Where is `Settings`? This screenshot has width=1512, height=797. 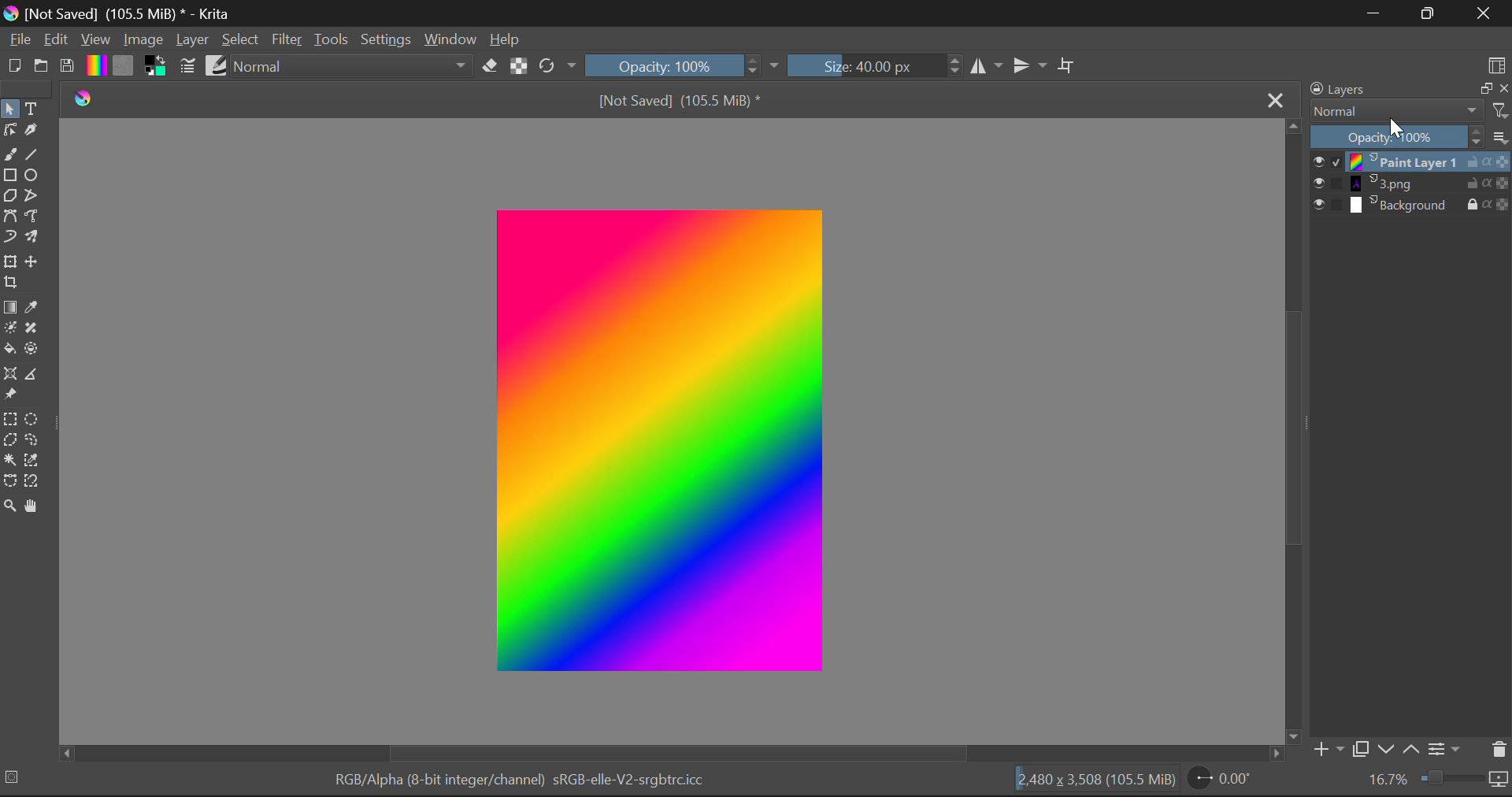
Settings is located at coordinates (1447, 751).